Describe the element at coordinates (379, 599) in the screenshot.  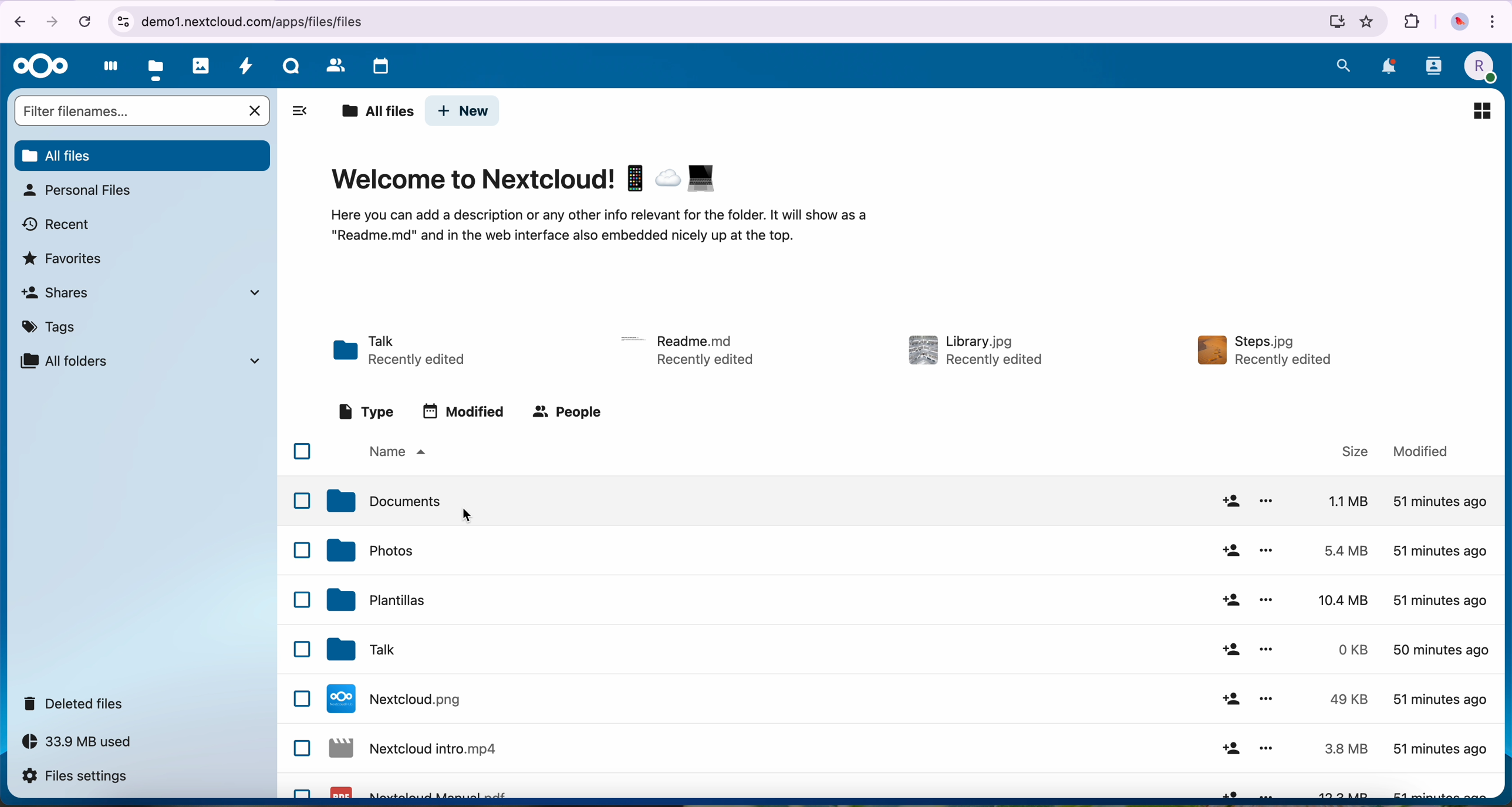
I see `plantillas` at that location.